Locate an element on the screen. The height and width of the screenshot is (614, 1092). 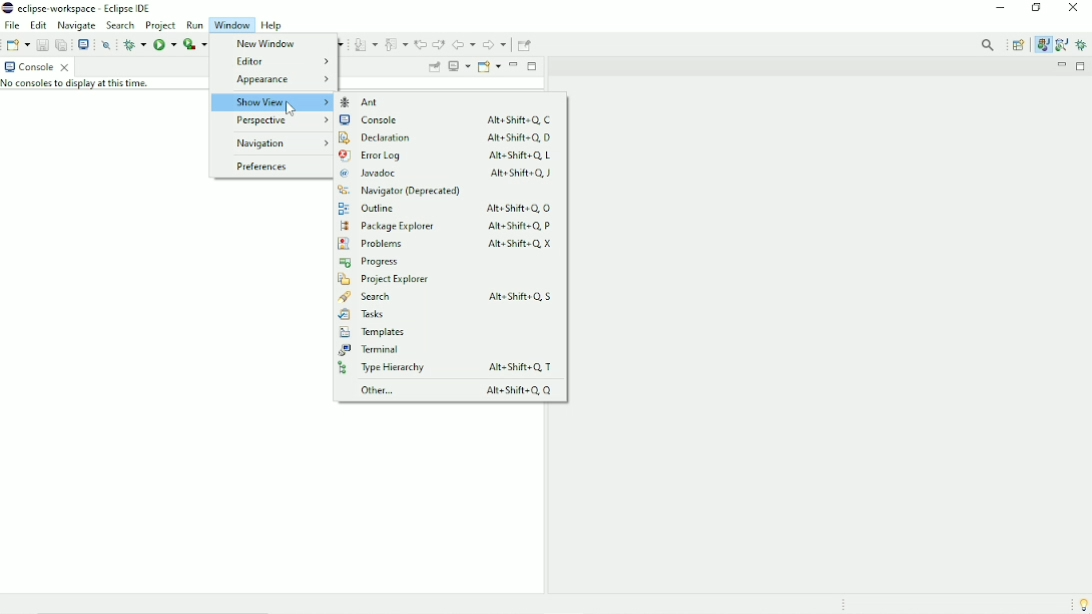
Edit is located at coordinates (39, 24).